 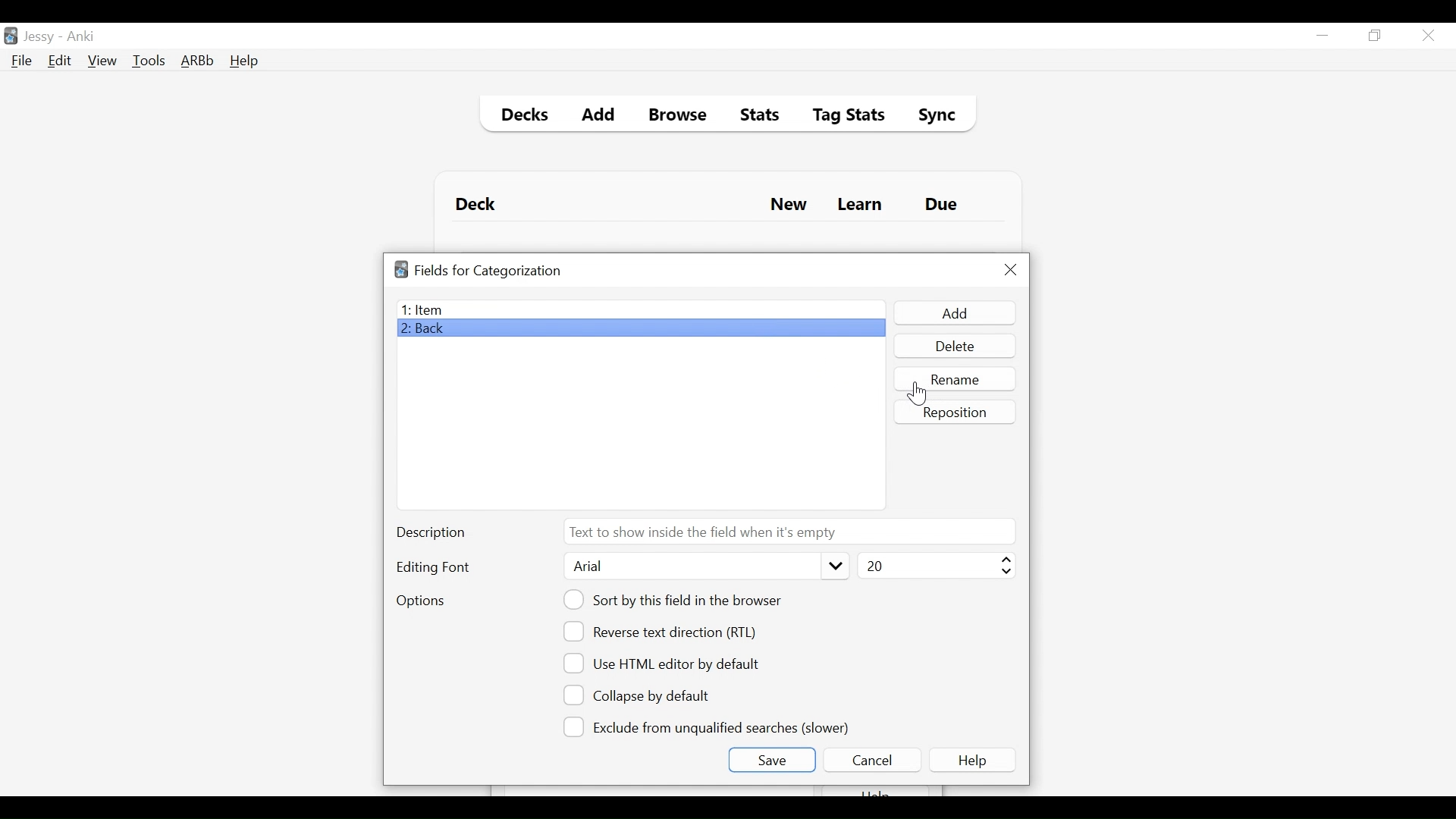 What do you see at coordinates (198, 61) in the screenshot?
I see `Advanced Review Button bar` at bounding box center [198, 61].